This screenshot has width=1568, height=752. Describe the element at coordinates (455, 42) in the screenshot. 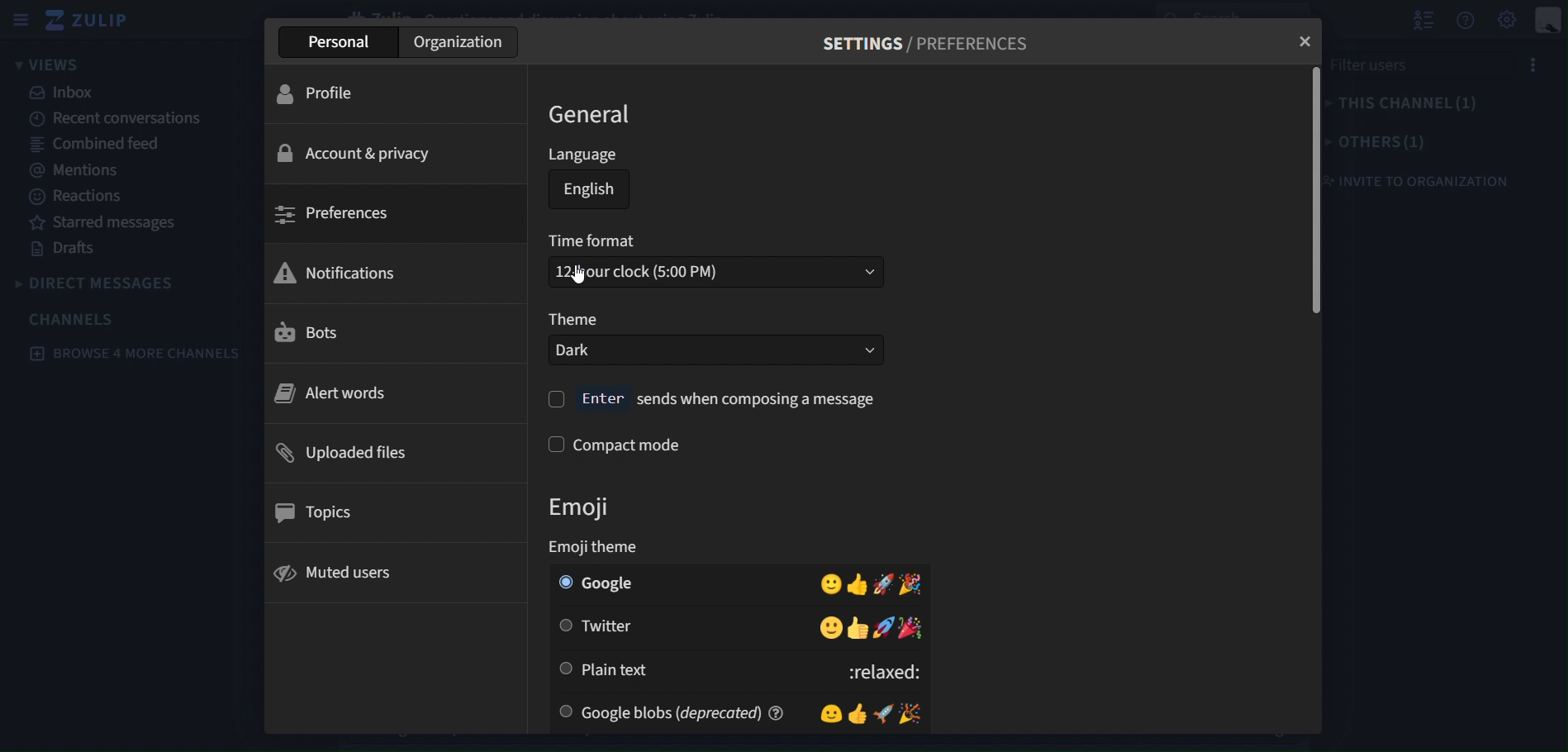

I see `Organization` at that location.